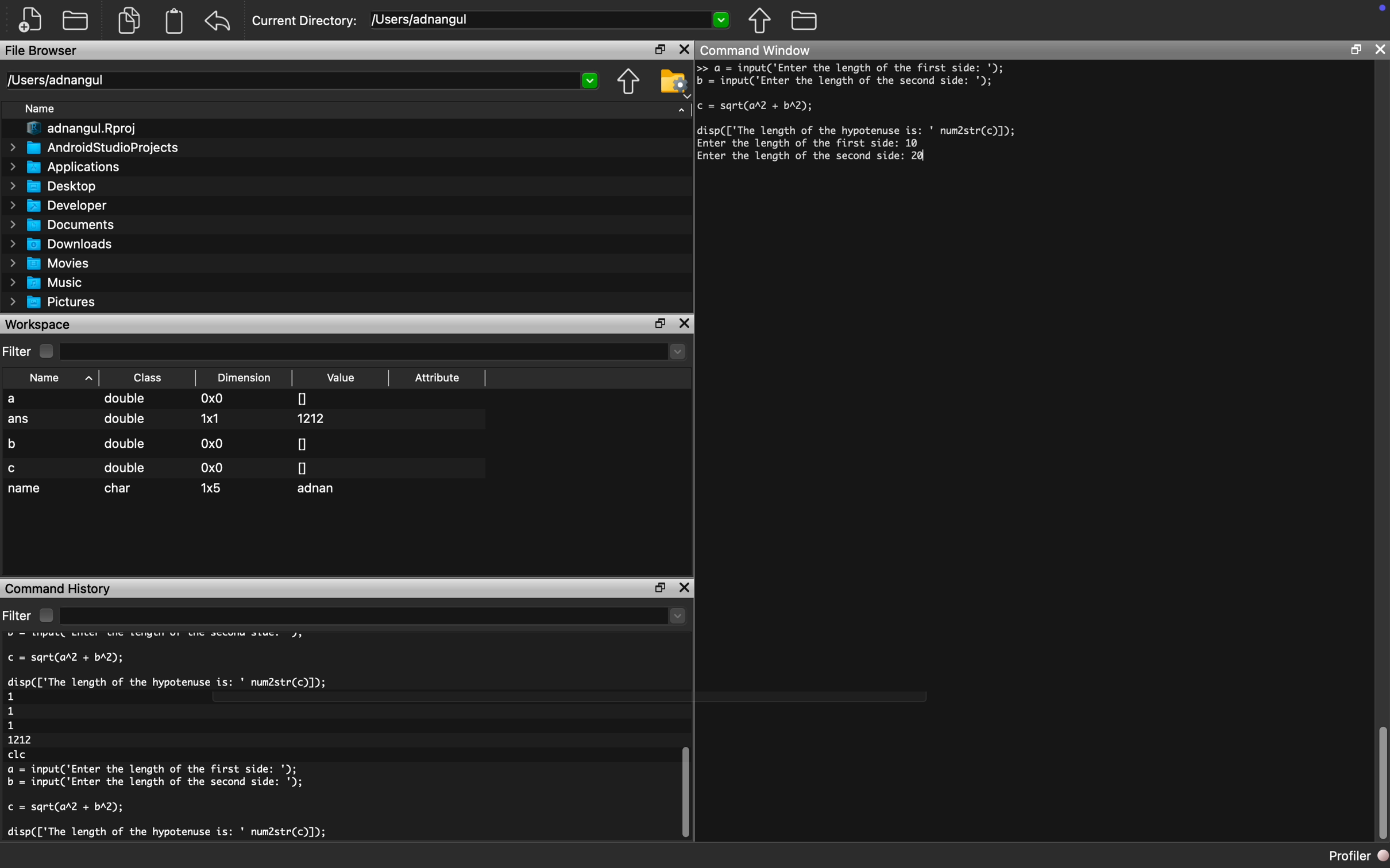 This screenshot has height=868, width=1390. What do you see at coordinates (314, 418) in the screenshot?
I see `1212` at bounding box center [314, 418].